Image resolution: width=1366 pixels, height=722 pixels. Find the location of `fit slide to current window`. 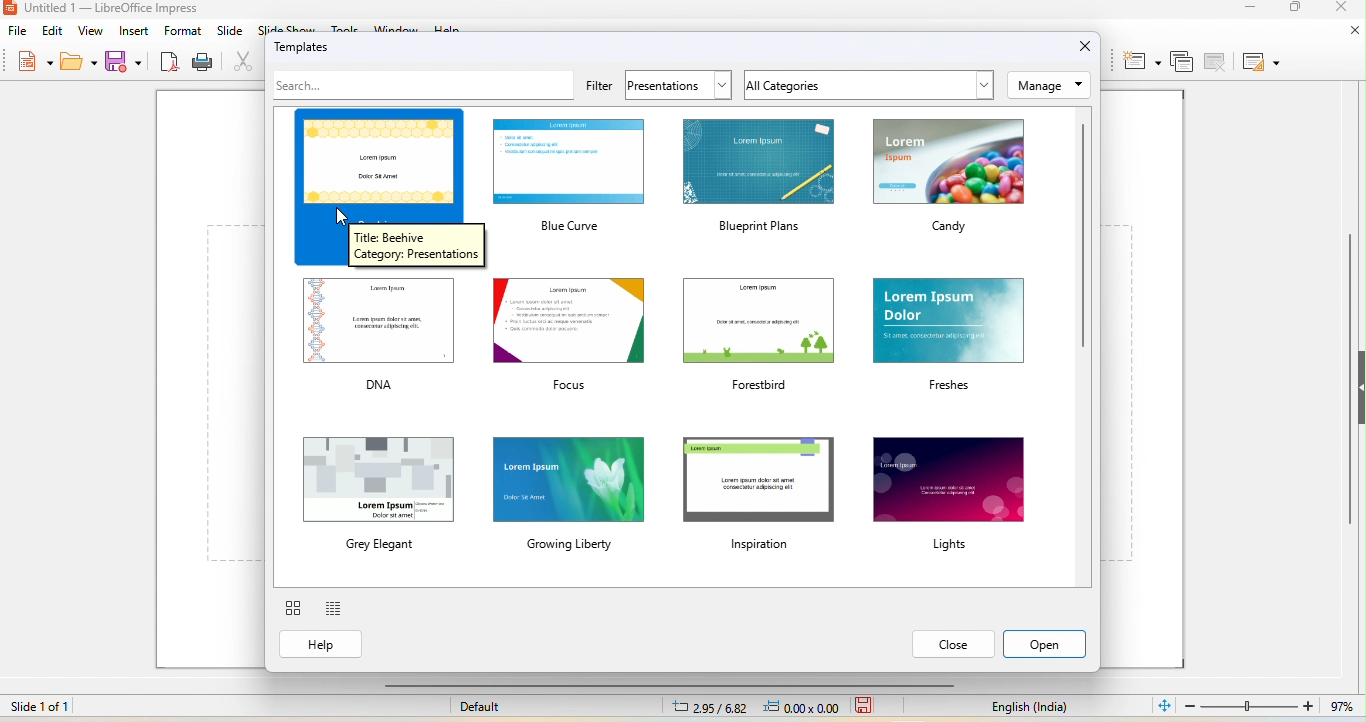

fit slide to current window is located at coordinates (1162, 705).